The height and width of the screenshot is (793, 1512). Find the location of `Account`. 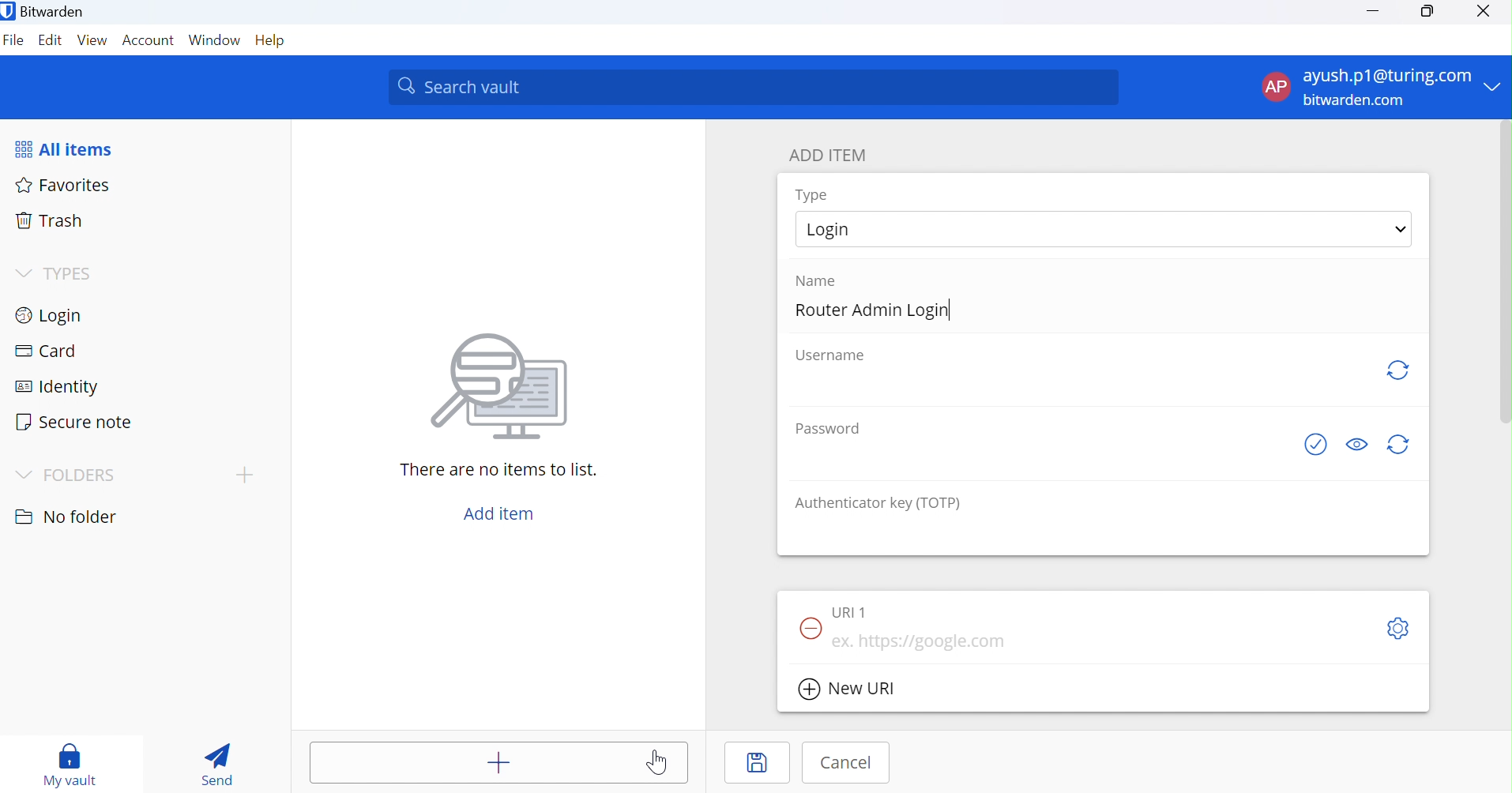

Account is located at coordinates (149, 41).